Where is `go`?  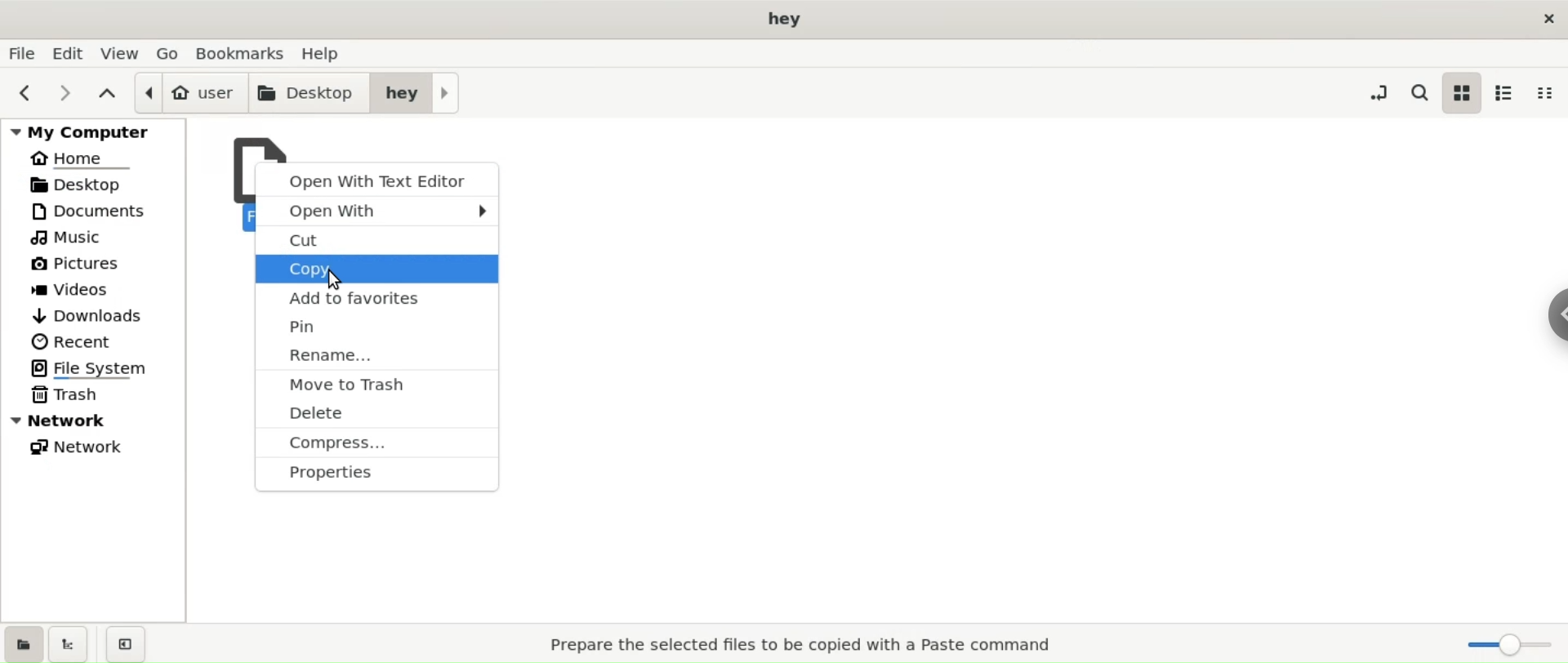
go is located at coordinates (170, 54).